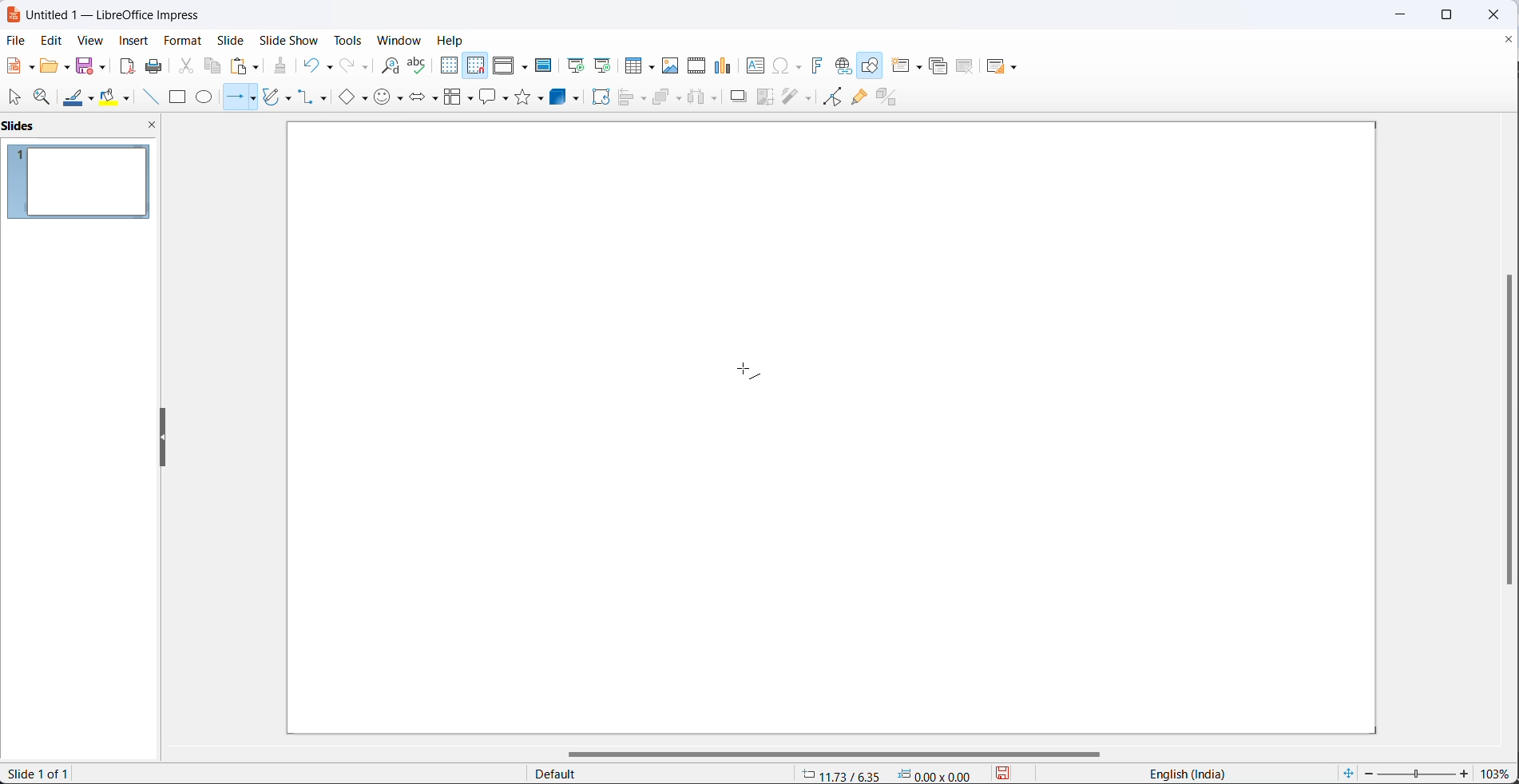  I want to click on window, so click(399, 42).